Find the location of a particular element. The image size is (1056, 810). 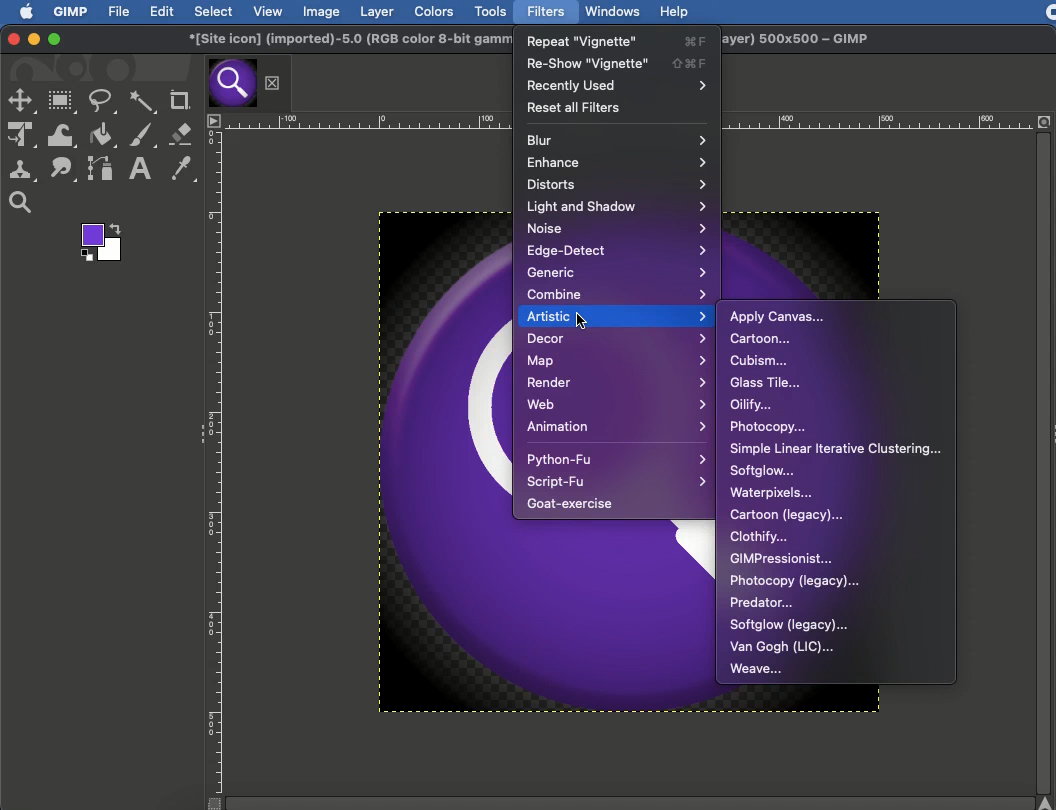

Edit is located at coordinates (163, 12).